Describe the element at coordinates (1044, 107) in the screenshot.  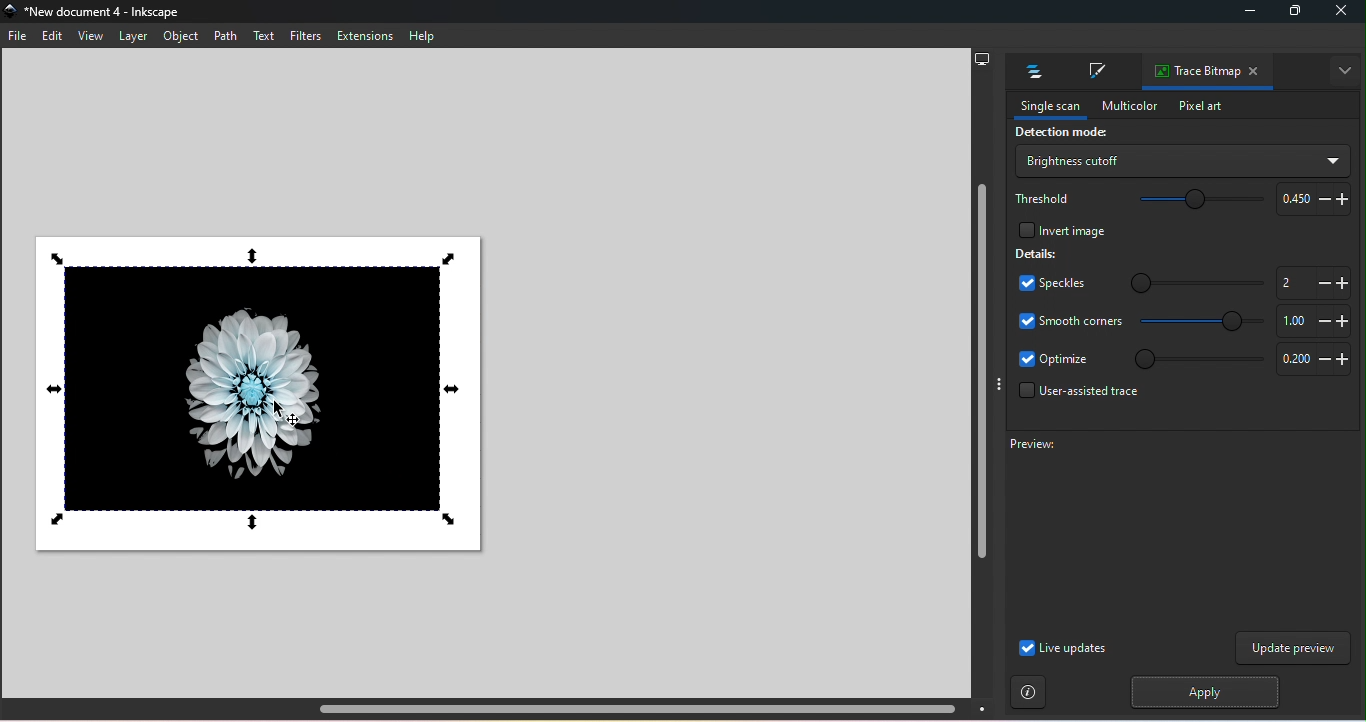
I see `Single scan` at that location.